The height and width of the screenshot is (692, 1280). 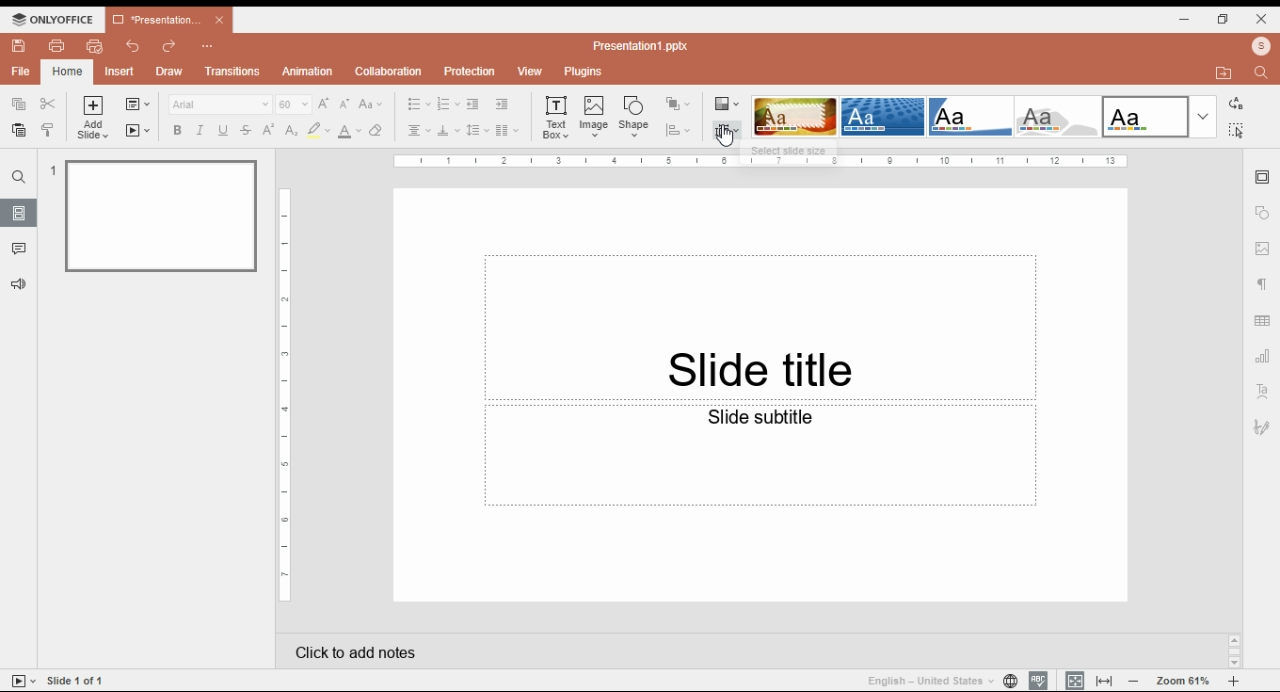 I want to click on slides, so click(x=19, y=212).